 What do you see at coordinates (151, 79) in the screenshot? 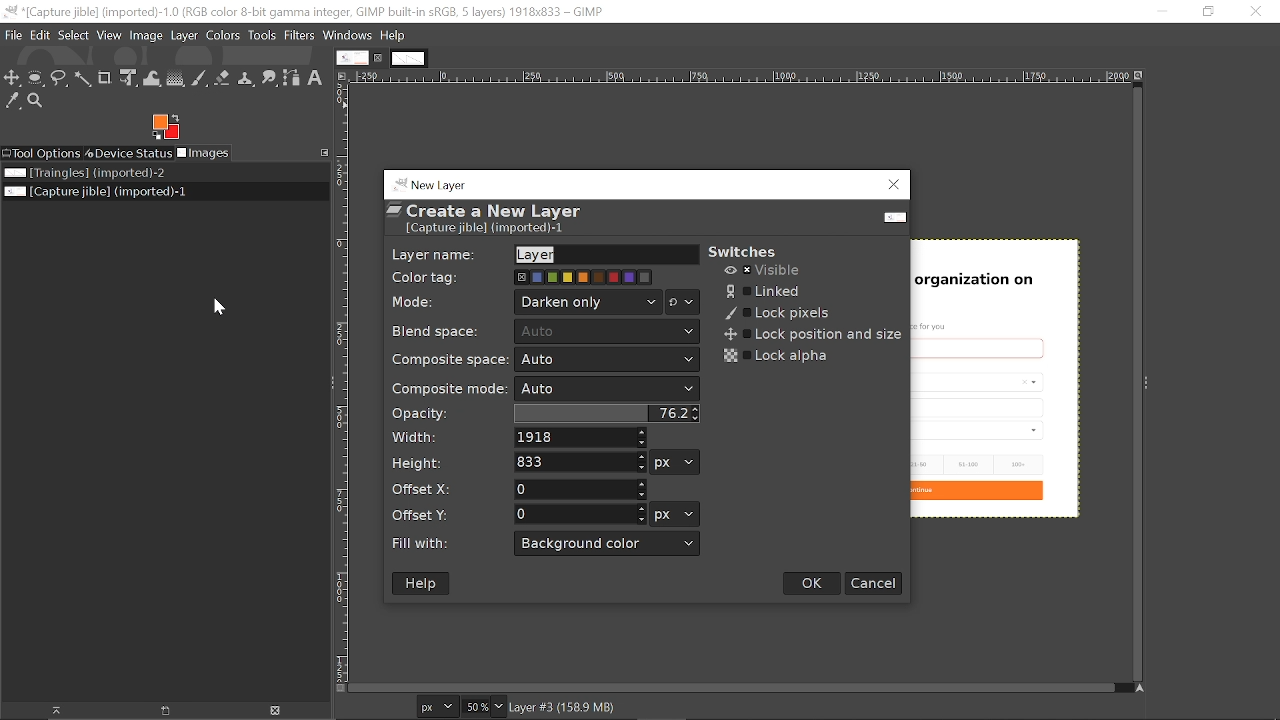
I see `Wrap text tool` at bounding box center [151, 79].